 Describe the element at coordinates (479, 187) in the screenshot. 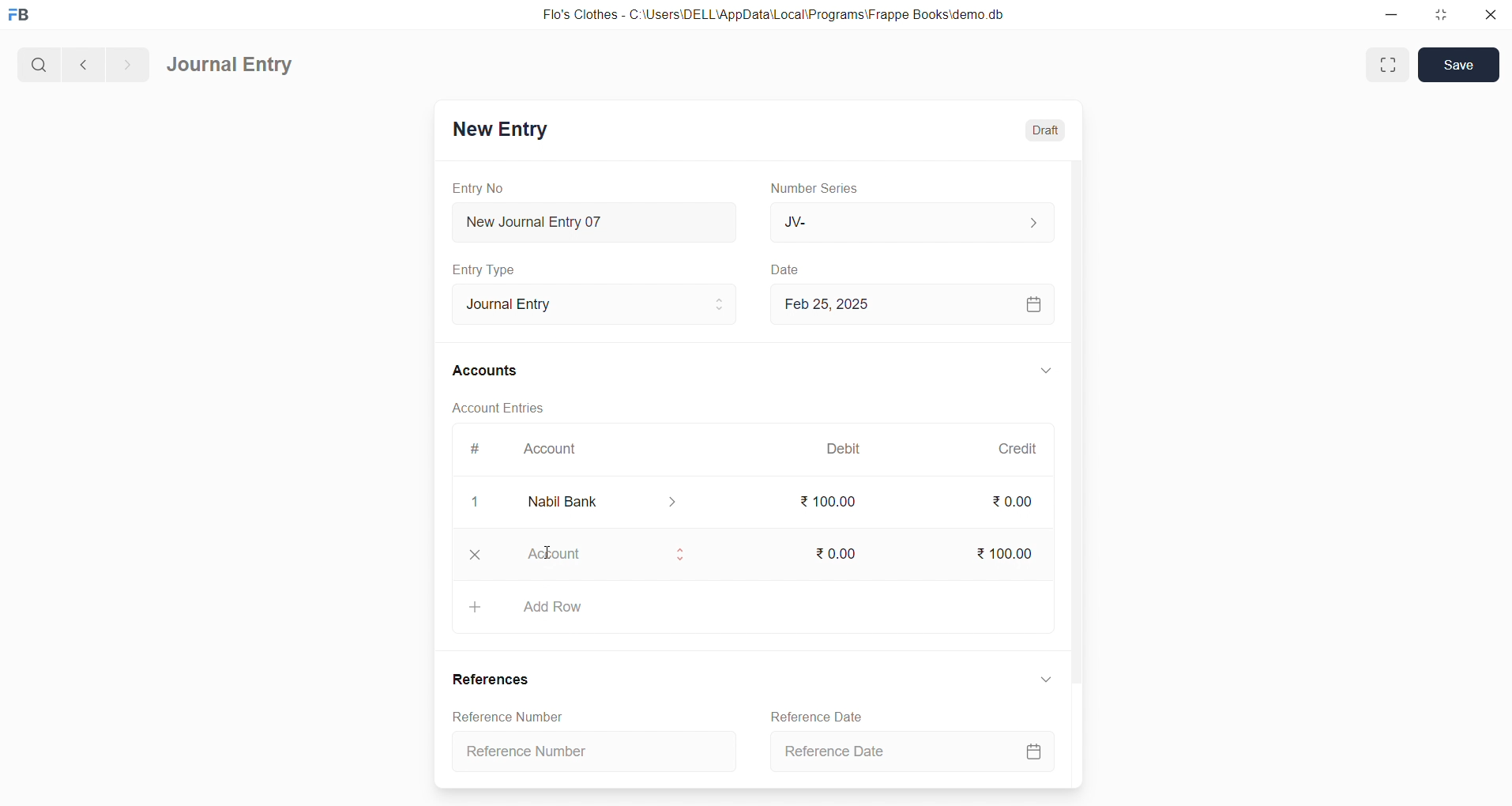

I see `Entry No` at that location.